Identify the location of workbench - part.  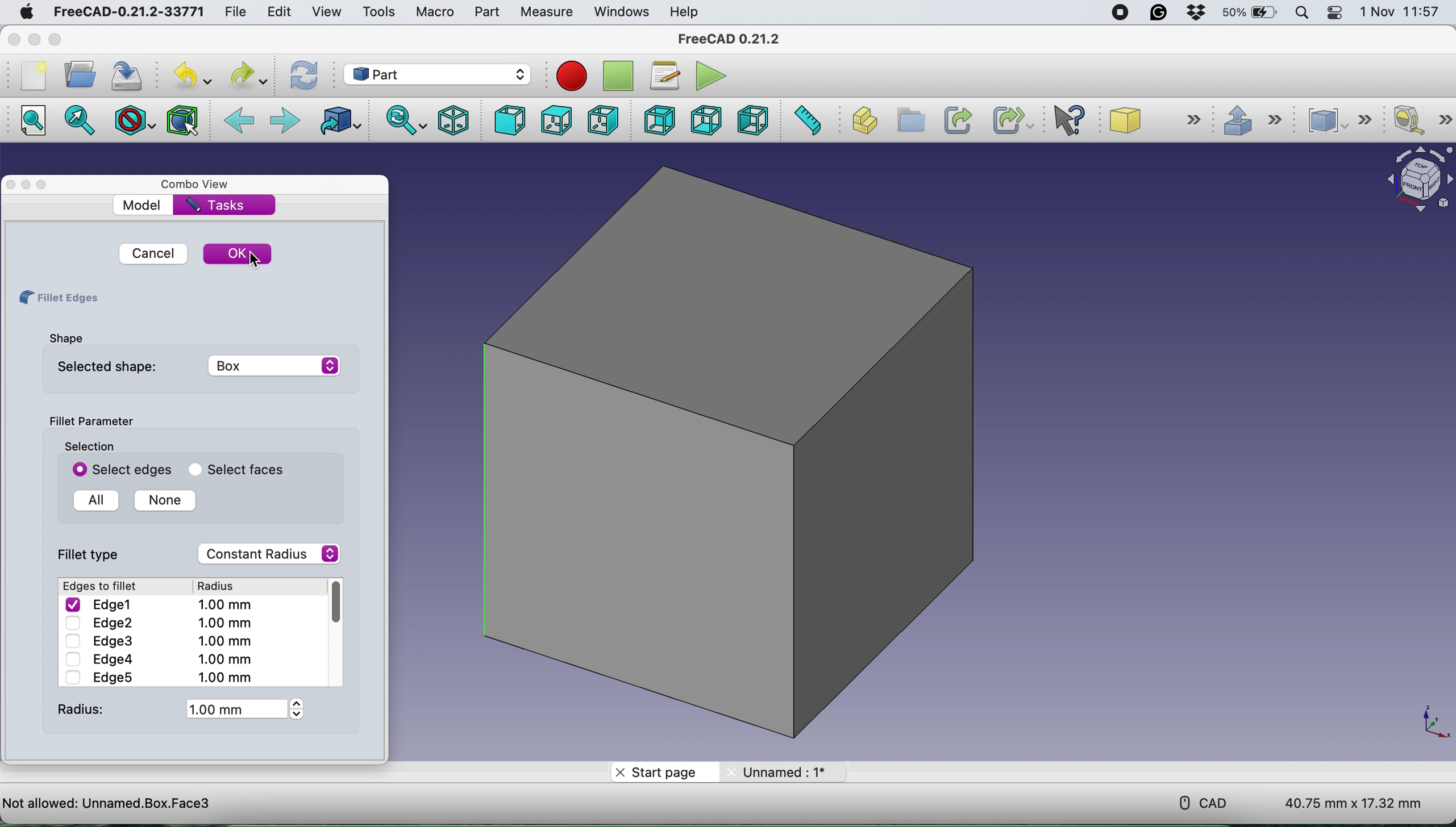
(436, 74).